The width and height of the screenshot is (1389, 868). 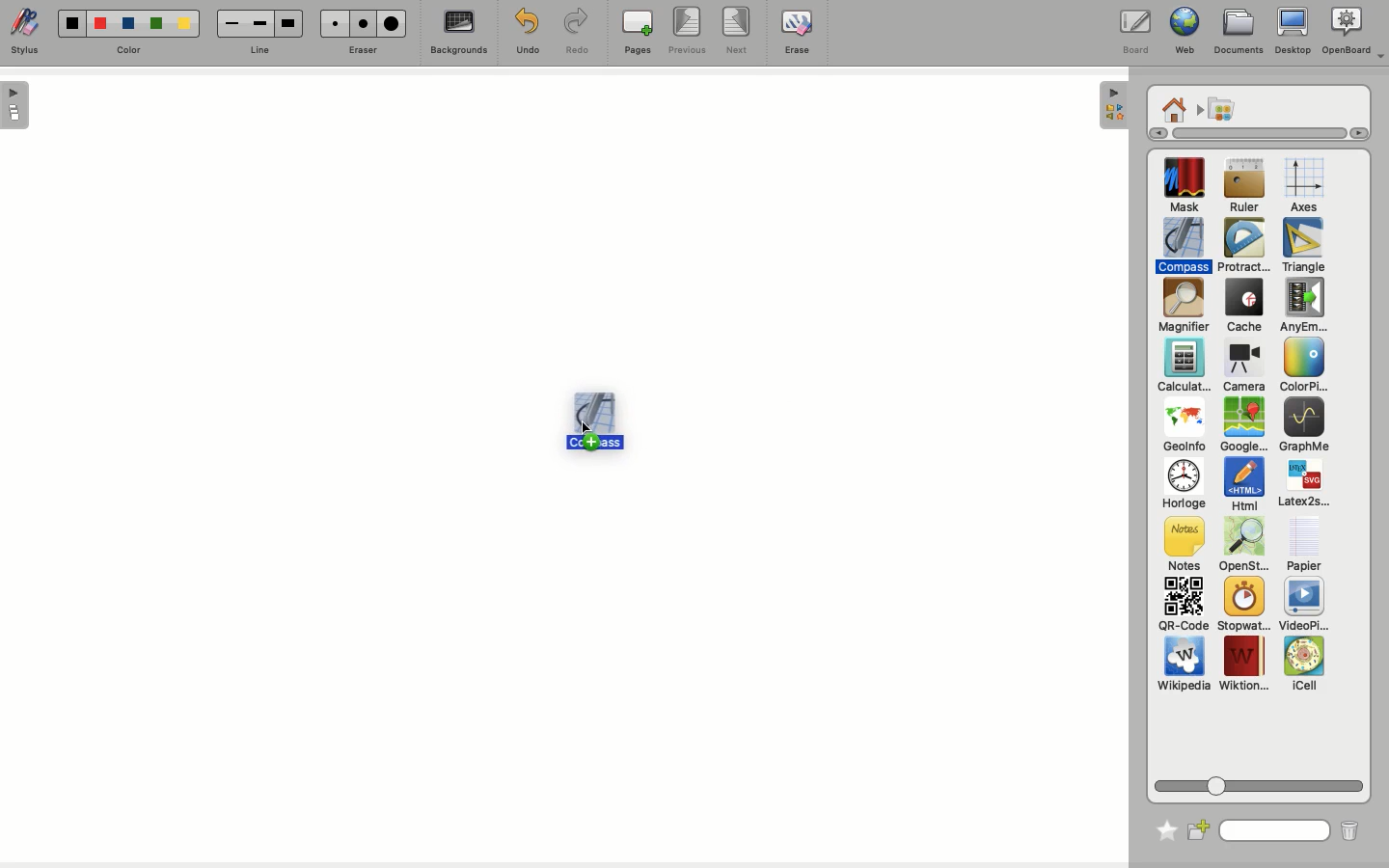 What do you see at coordinates (259, 23) in the screenshot?
I see `line2` at bounding box center [259, 23].